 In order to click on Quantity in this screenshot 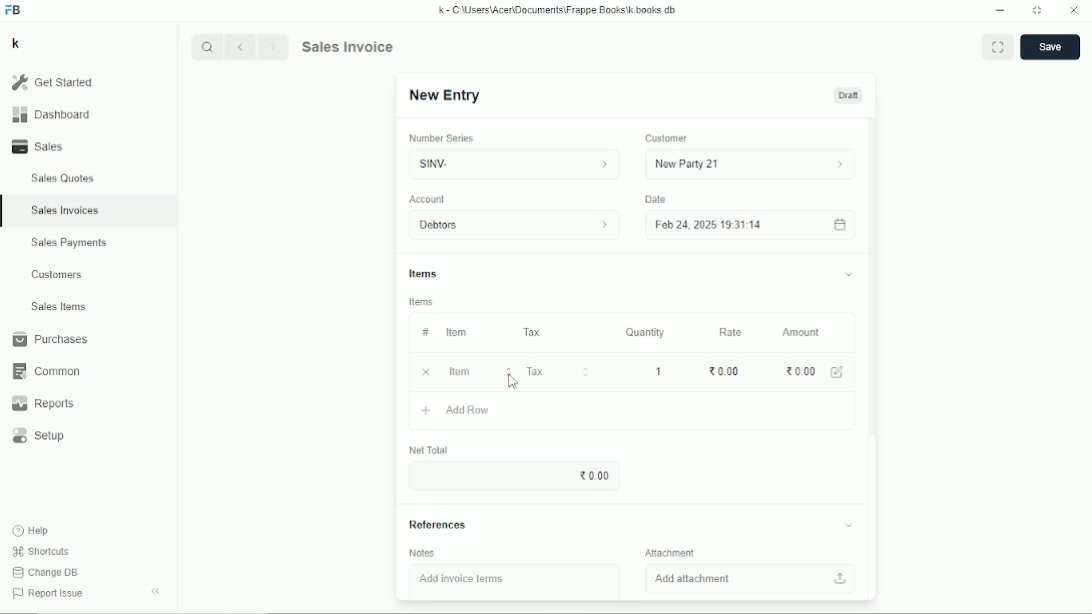, I will do `click(645, 332)`.